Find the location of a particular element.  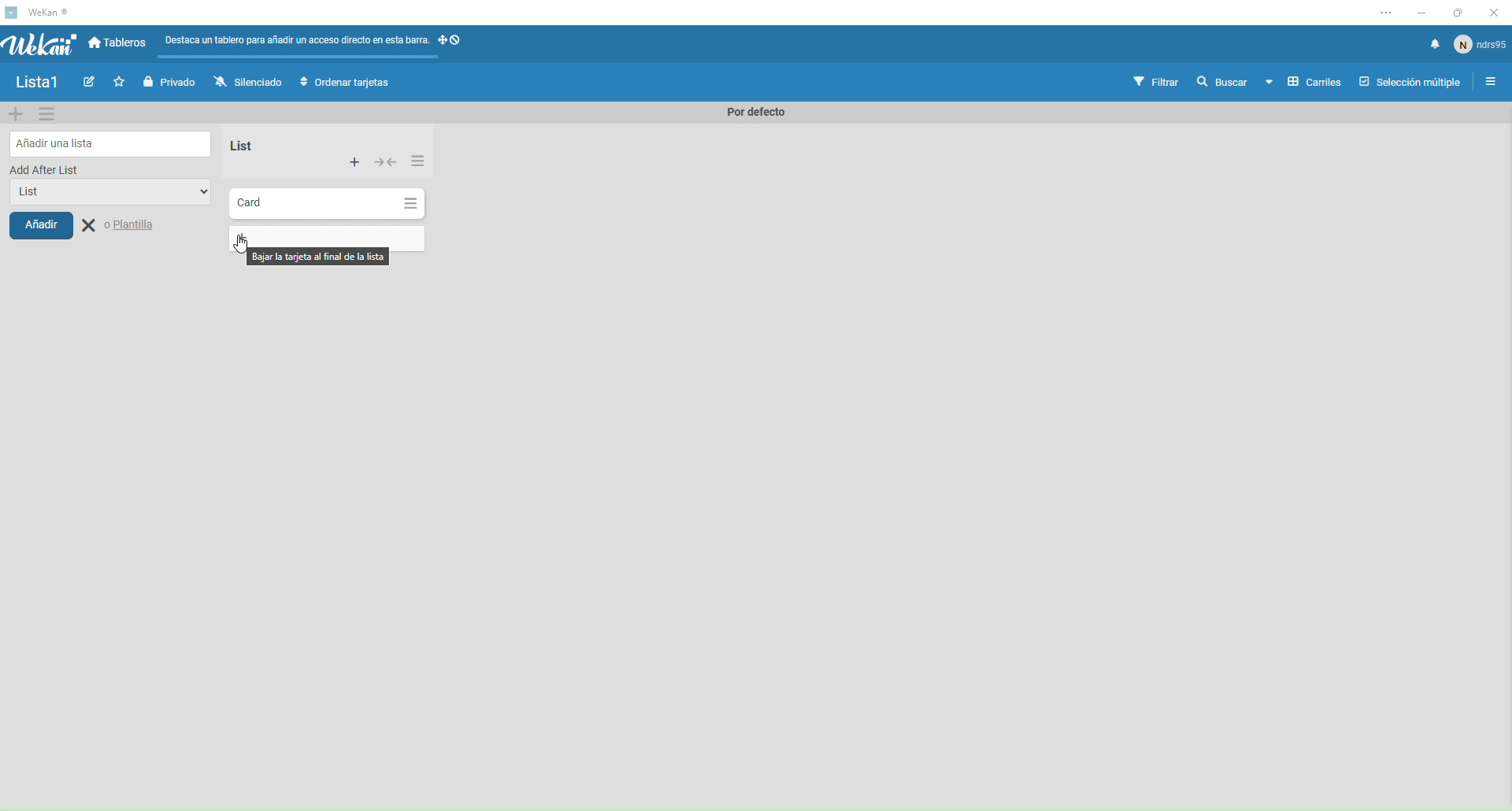

Sound is located at coordinates (1435, 45).